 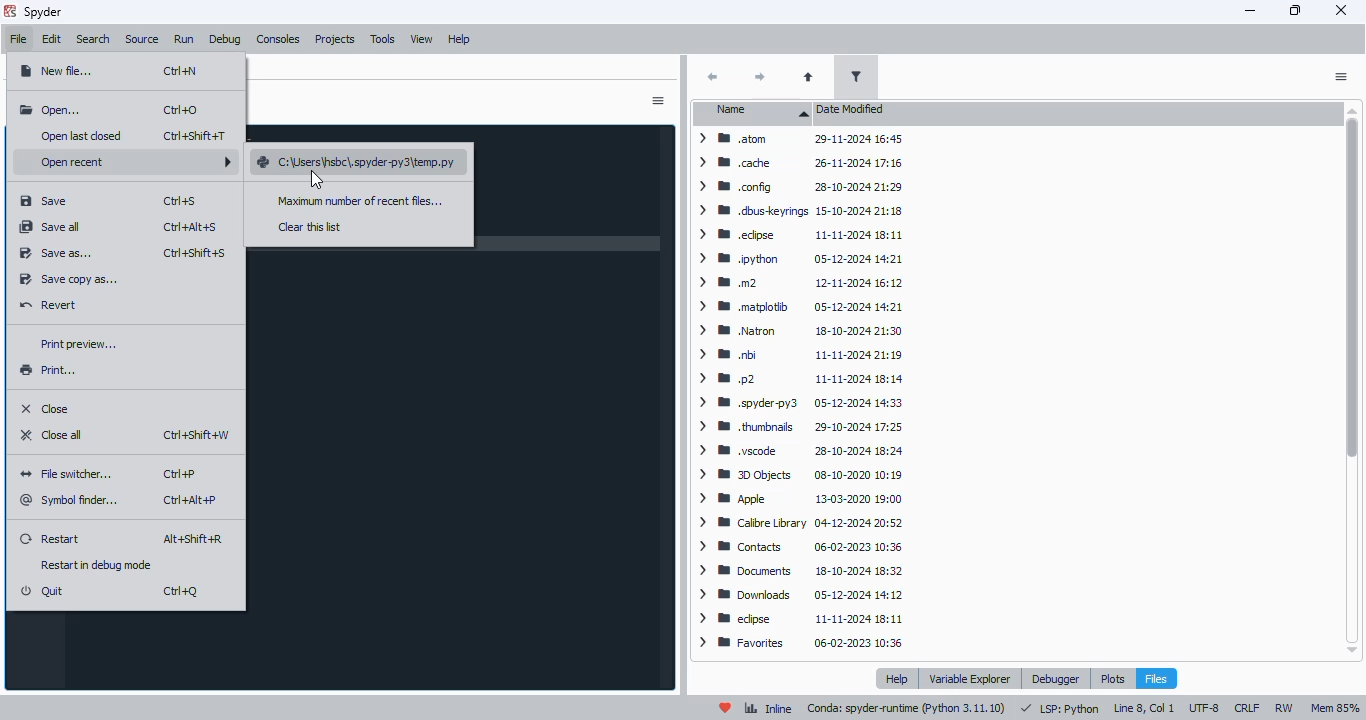 I want to click on debug, so click(x=225, y=39).